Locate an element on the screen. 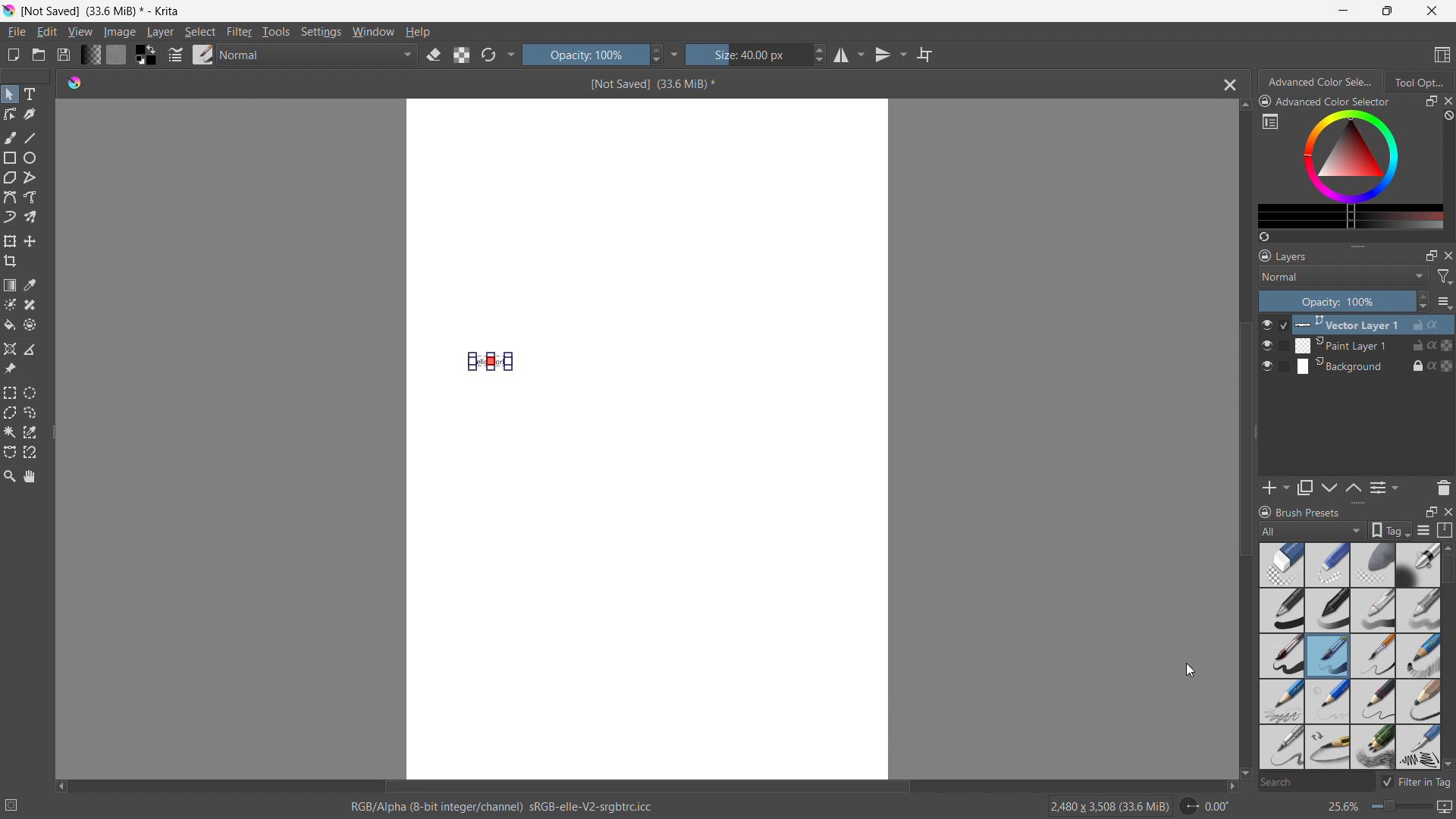 This screenshot has width=1456, height=819. minimize is located at coordinates (1344, 10).